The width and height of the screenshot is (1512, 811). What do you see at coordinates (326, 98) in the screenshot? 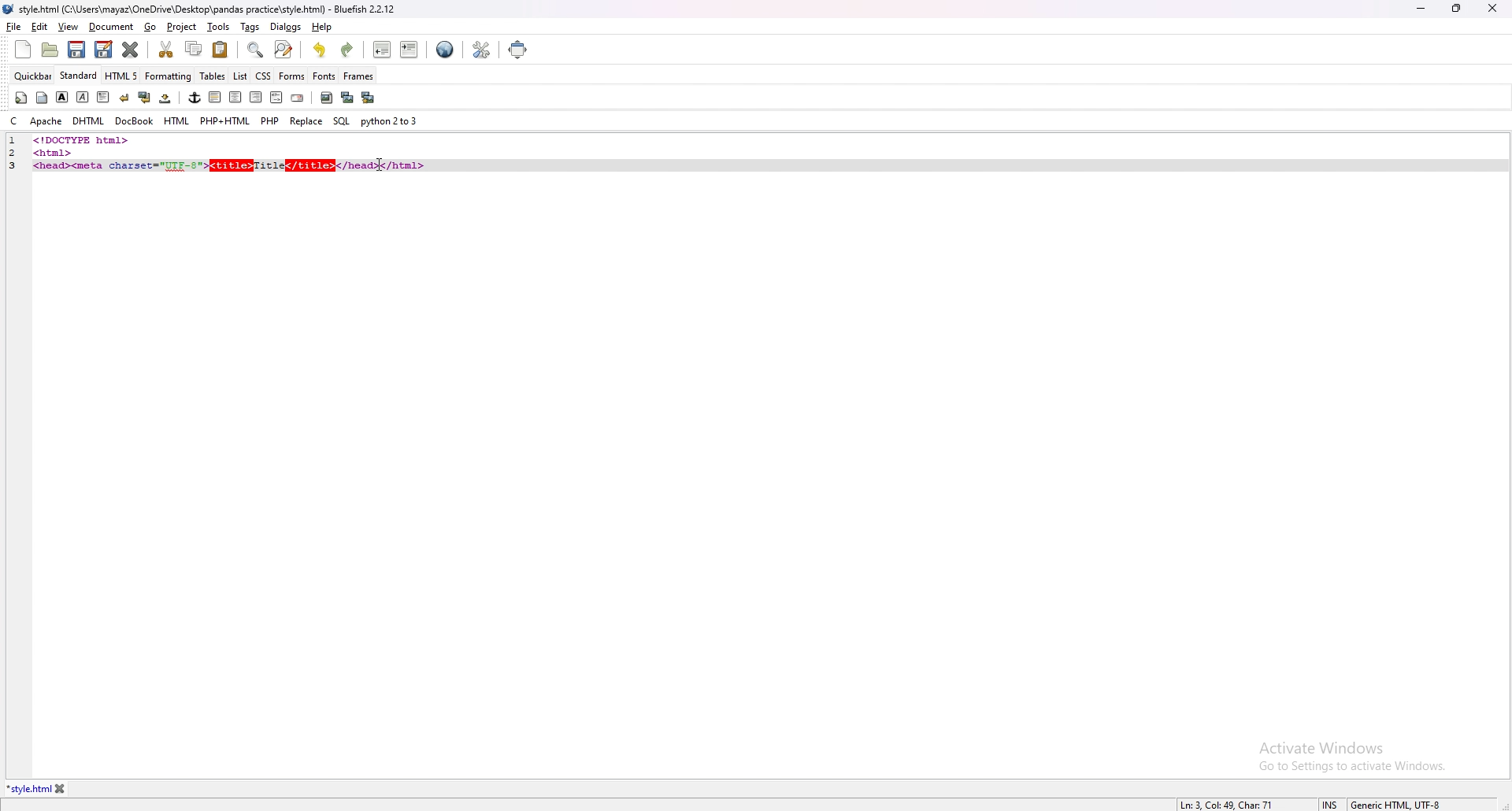
I see `insert image` at bounding box center [326, 98].